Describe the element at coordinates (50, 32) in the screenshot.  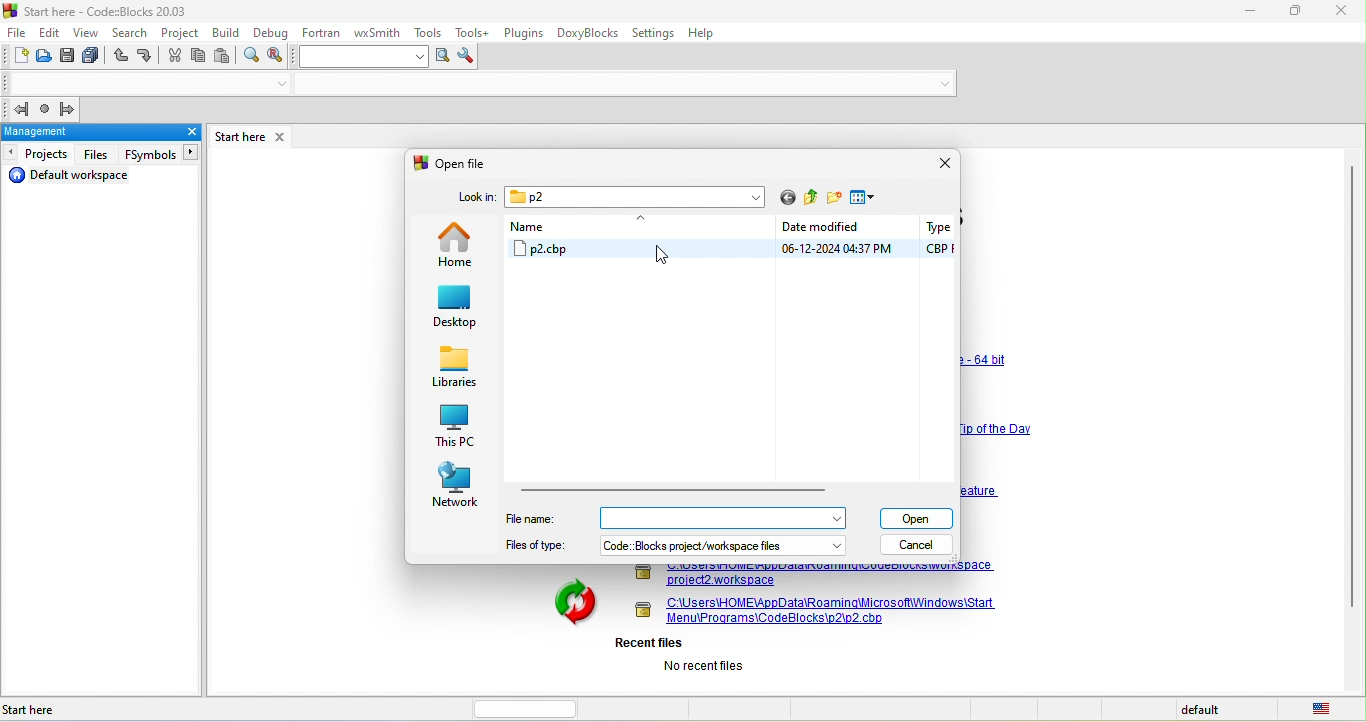
I see `edit` at that location.